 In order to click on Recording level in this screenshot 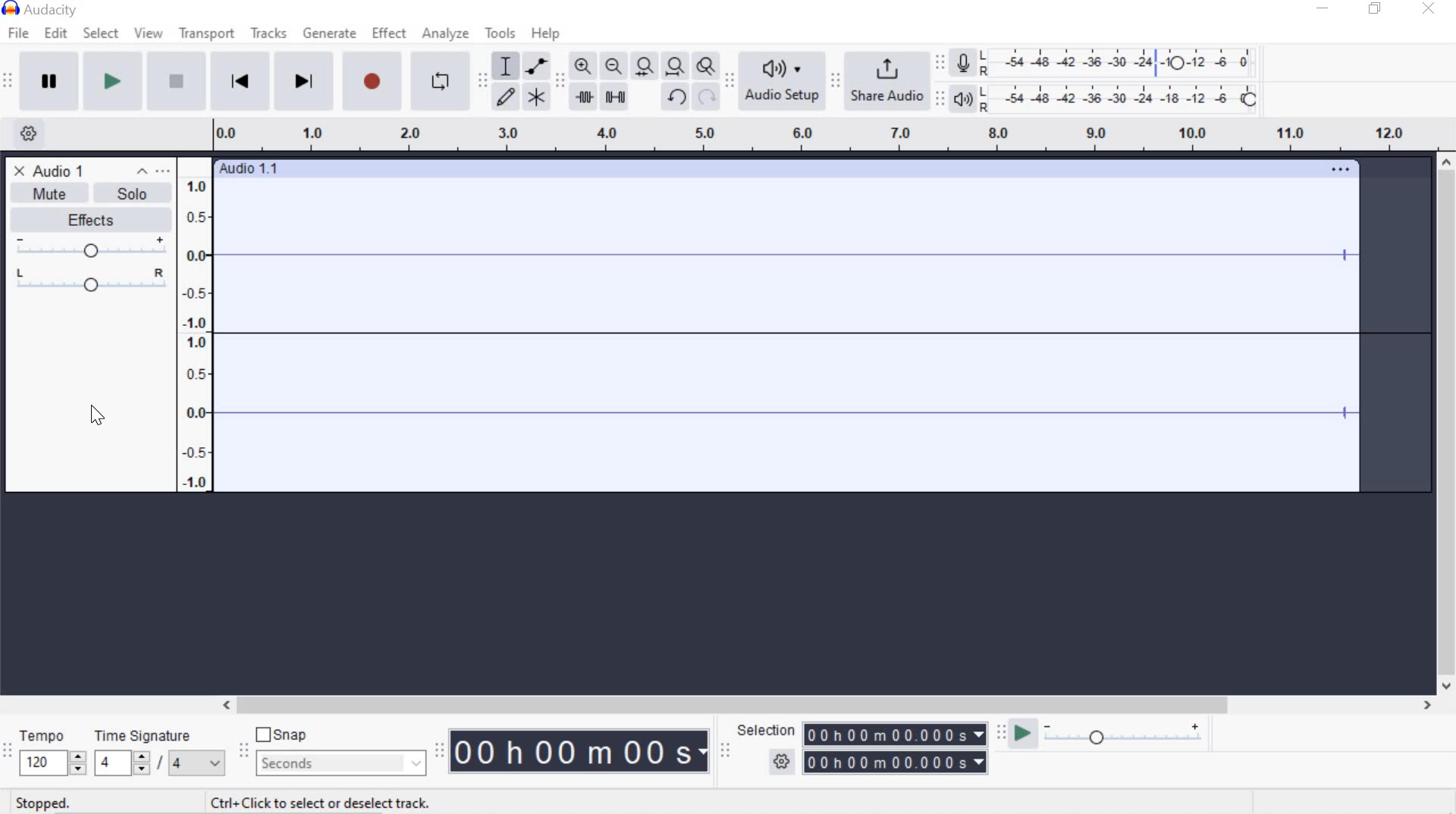, I will do `click(1125, 59)`.